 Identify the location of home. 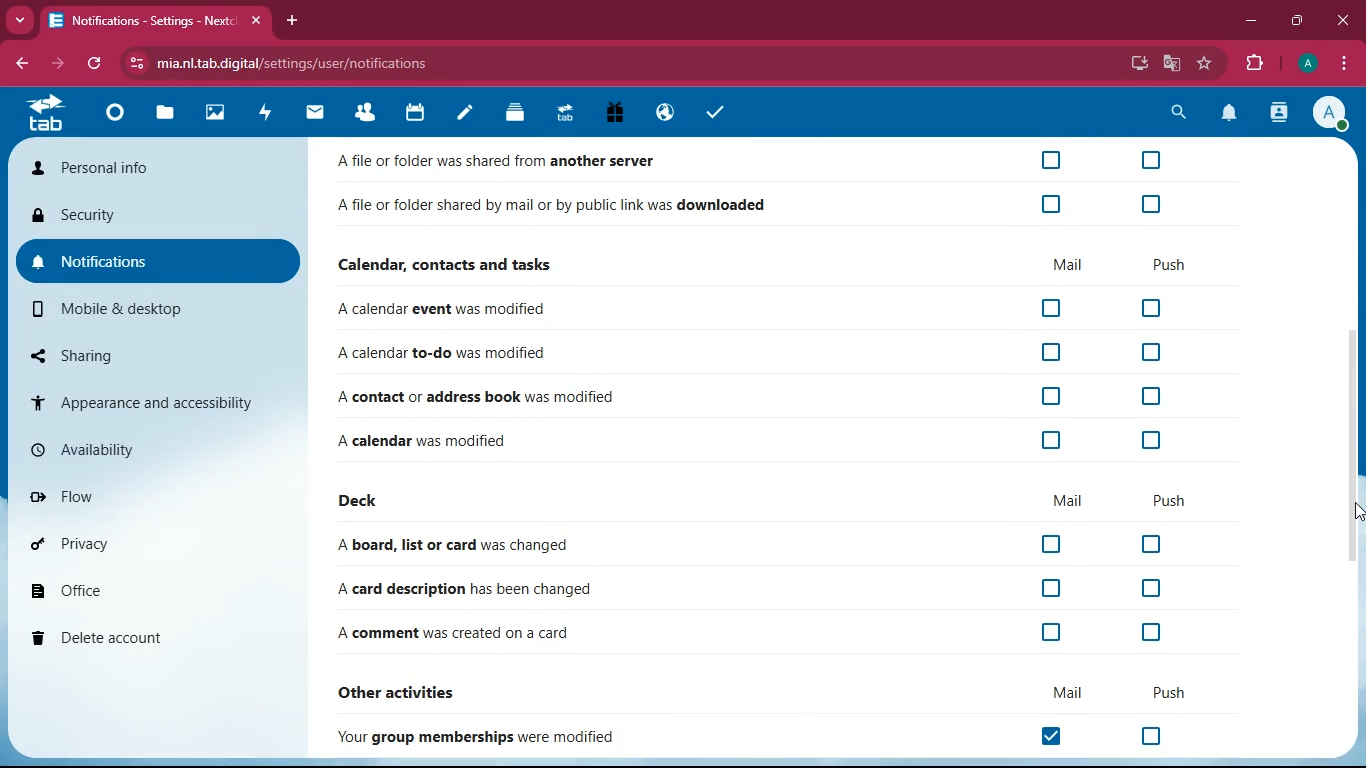
(113, 112).